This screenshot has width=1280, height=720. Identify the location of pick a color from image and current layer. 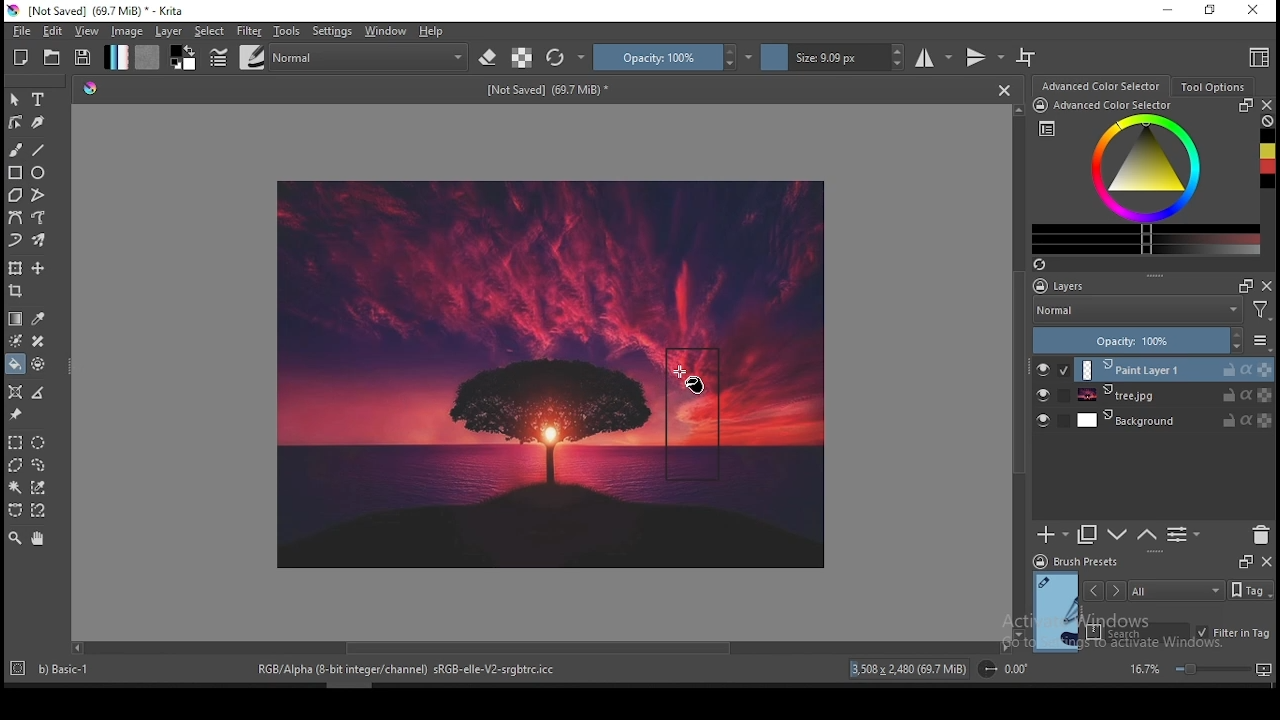
(38, 318).